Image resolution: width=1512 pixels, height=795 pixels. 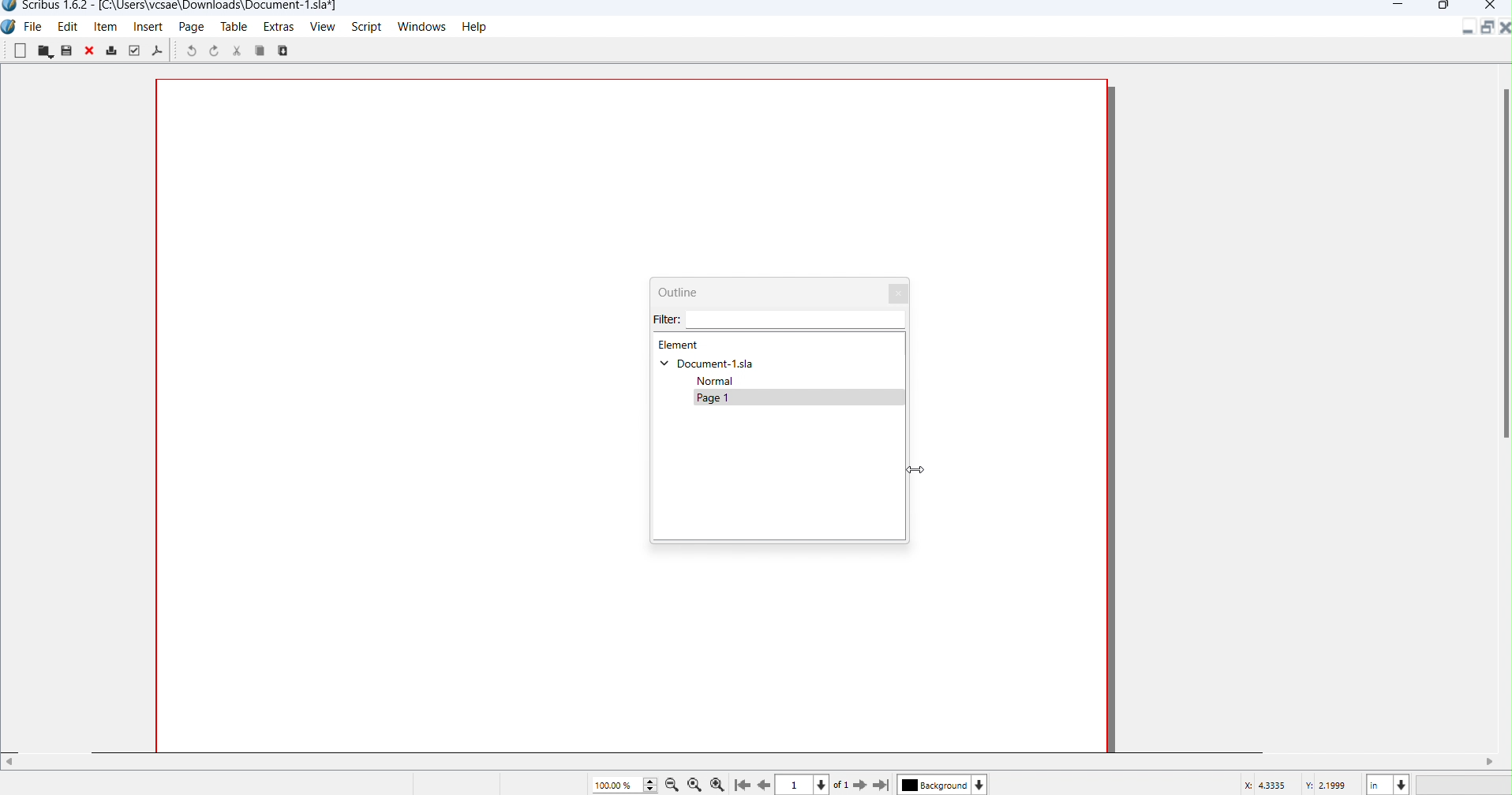 What do you see at coordinates (159, 51) in the screenshot?
I see `` at bounding box center [159, 51].